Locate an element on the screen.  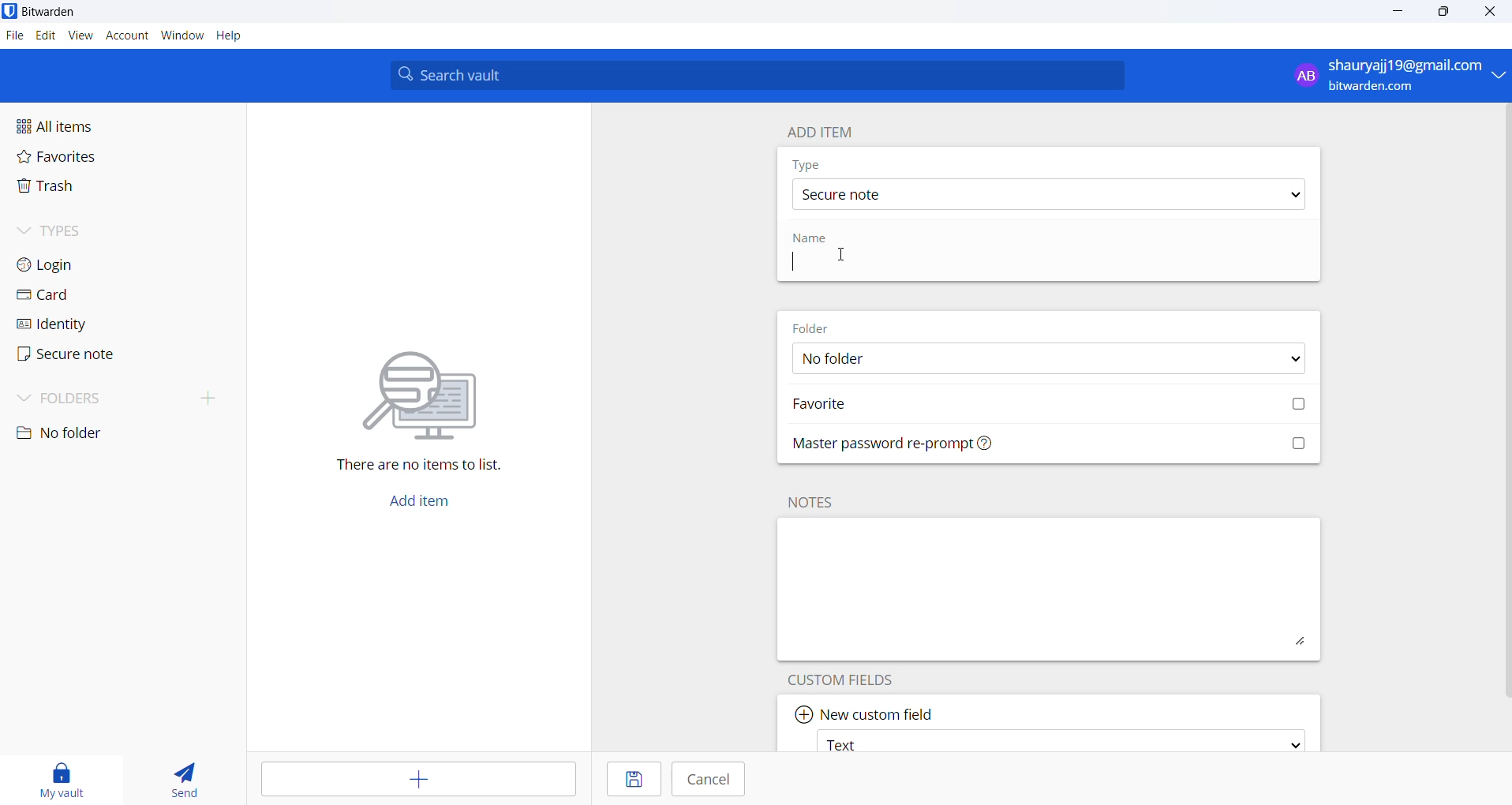
close is located at coordinates (1495, 12).